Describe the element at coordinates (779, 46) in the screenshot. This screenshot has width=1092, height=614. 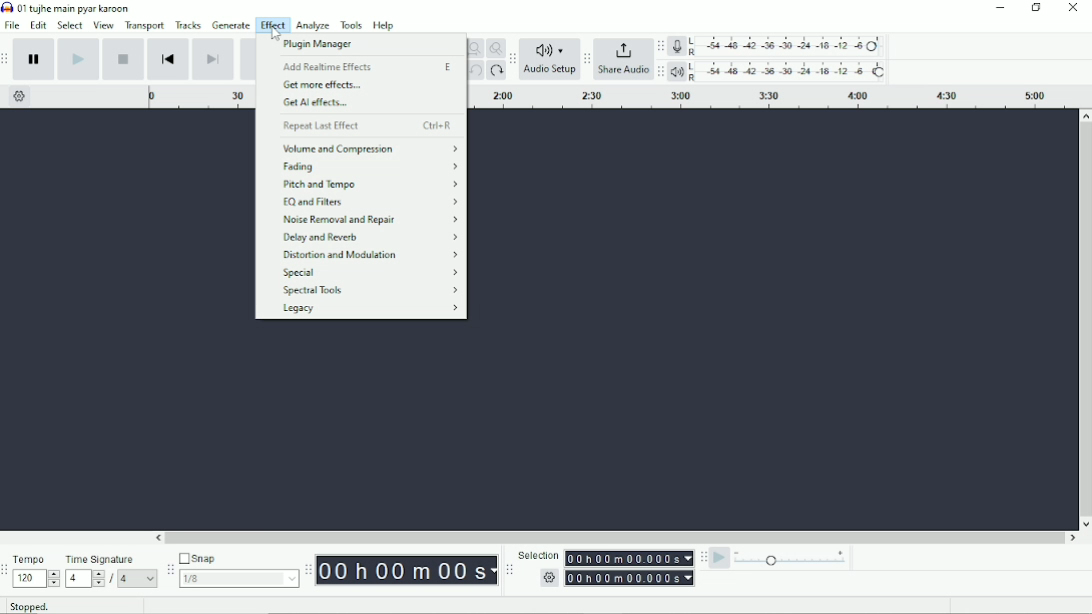
I see `Record meter` at that location.